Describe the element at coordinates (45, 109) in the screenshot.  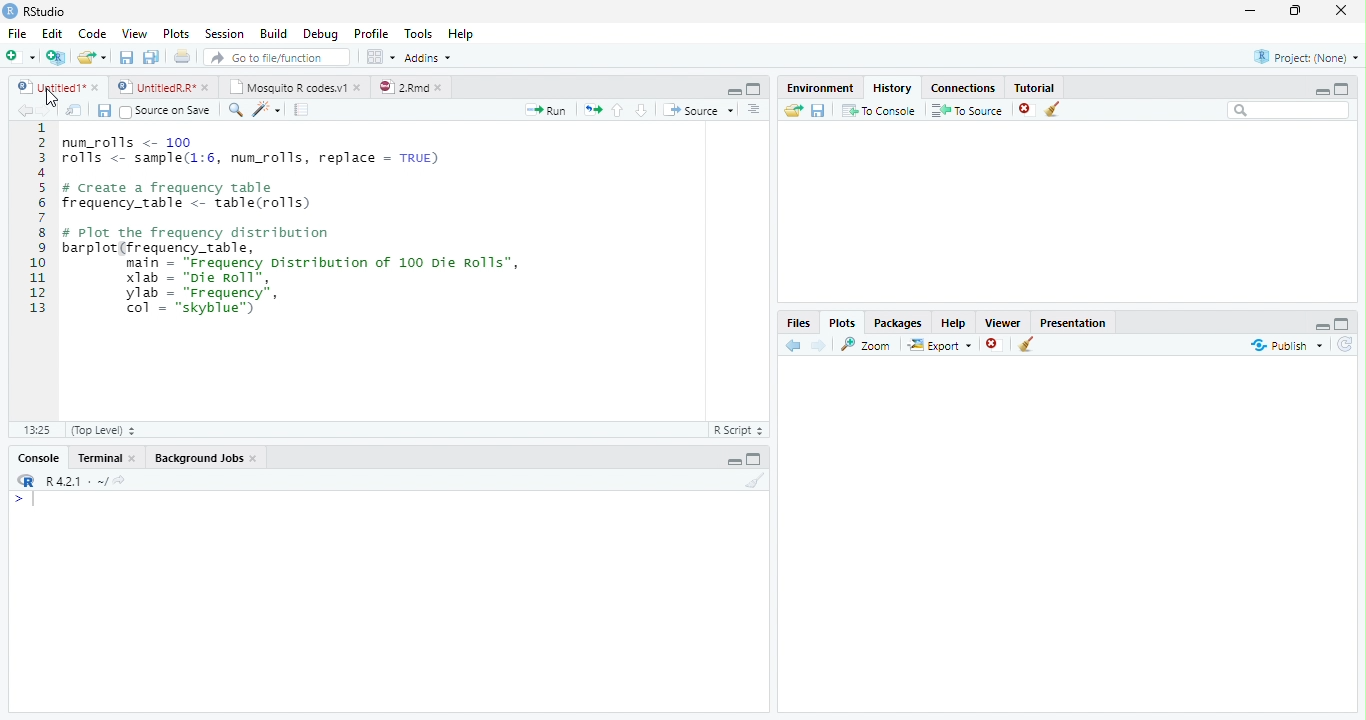
I see `Next Source Location` at that location.